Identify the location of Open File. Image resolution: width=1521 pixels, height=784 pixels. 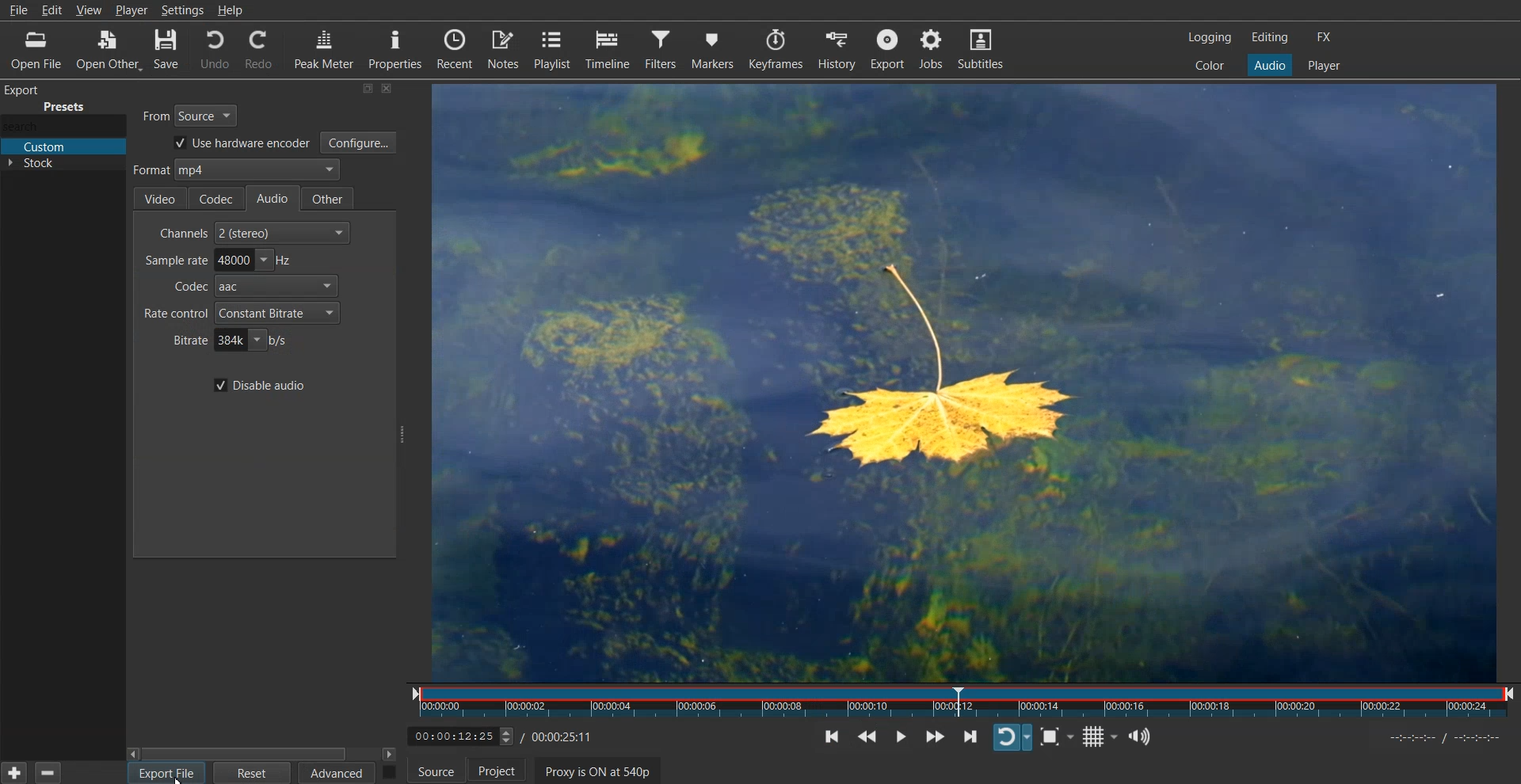
(30, 50).